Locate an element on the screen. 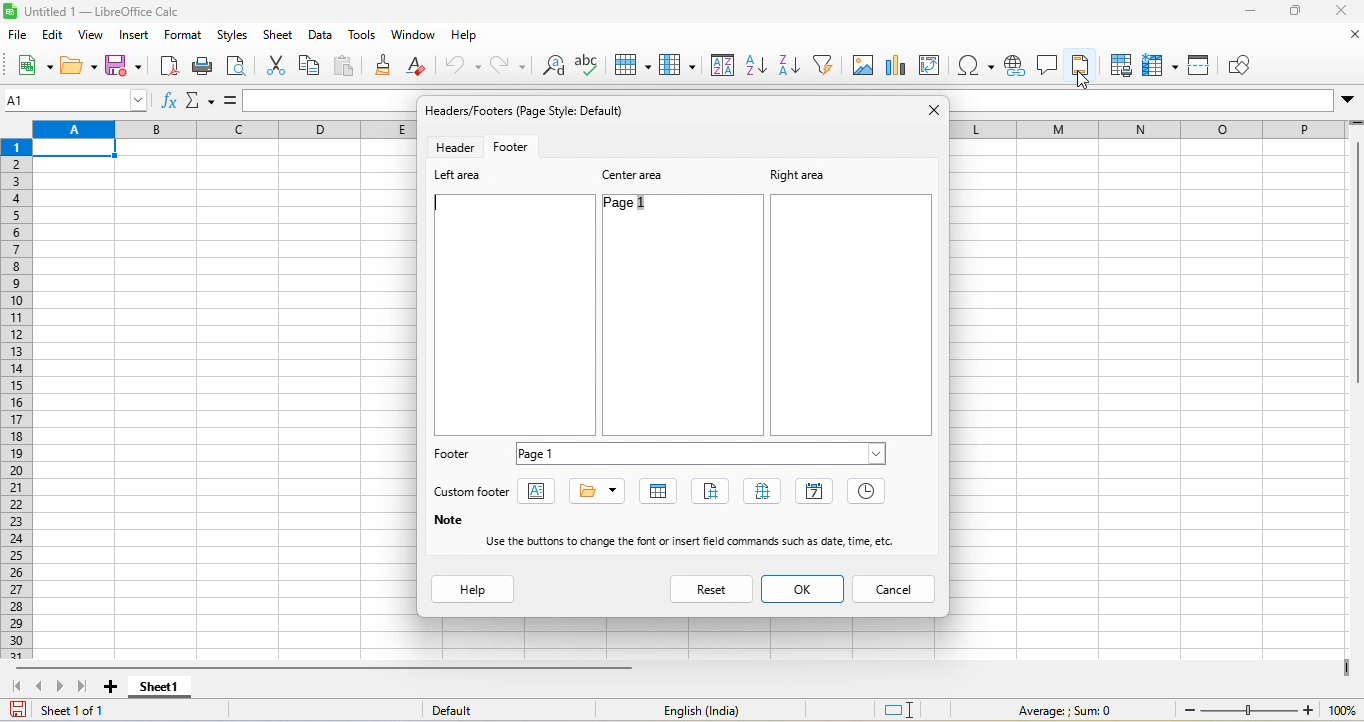  format is located at coordinates (185, 38).